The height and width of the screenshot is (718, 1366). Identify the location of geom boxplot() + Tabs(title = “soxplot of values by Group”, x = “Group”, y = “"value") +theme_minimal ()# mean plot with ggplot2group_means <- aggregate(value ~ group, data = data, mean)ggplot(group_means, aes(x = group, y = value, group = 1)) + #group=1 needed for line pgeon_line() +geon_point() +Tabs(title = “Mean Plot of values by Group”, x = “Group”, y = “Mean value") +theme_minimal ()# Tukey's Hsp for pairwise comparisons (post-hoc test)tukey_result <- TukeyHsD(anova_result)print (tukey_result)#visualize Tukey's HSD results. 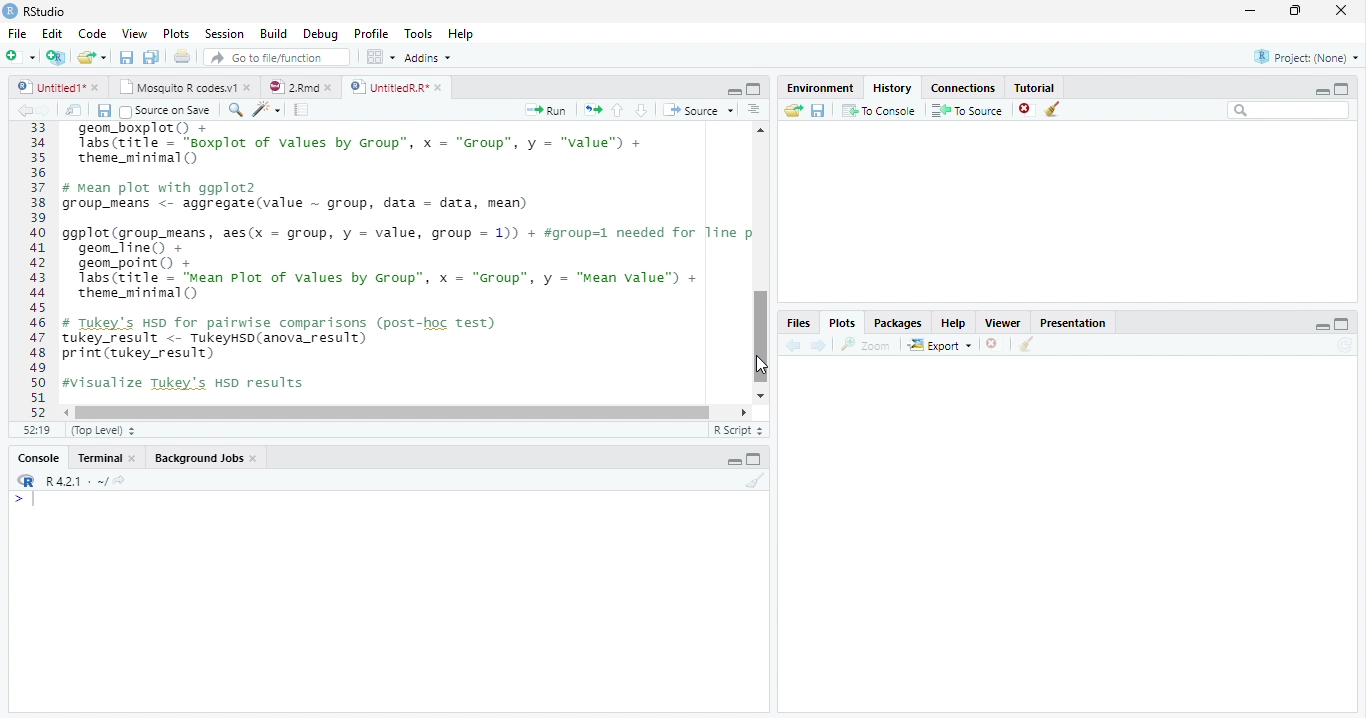
(400, 261).